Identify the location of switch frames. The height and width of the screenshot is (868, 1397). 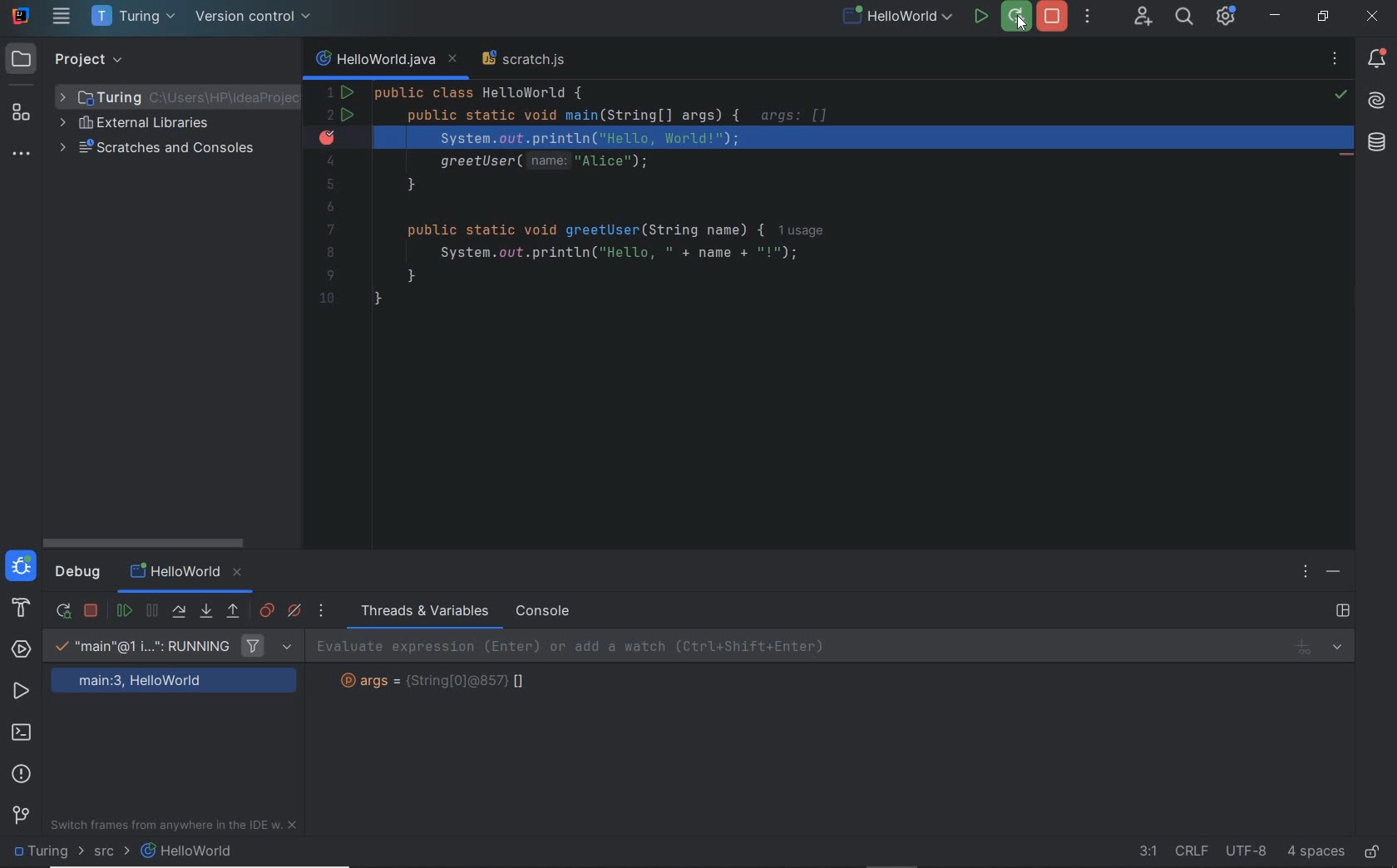
(176, 828).